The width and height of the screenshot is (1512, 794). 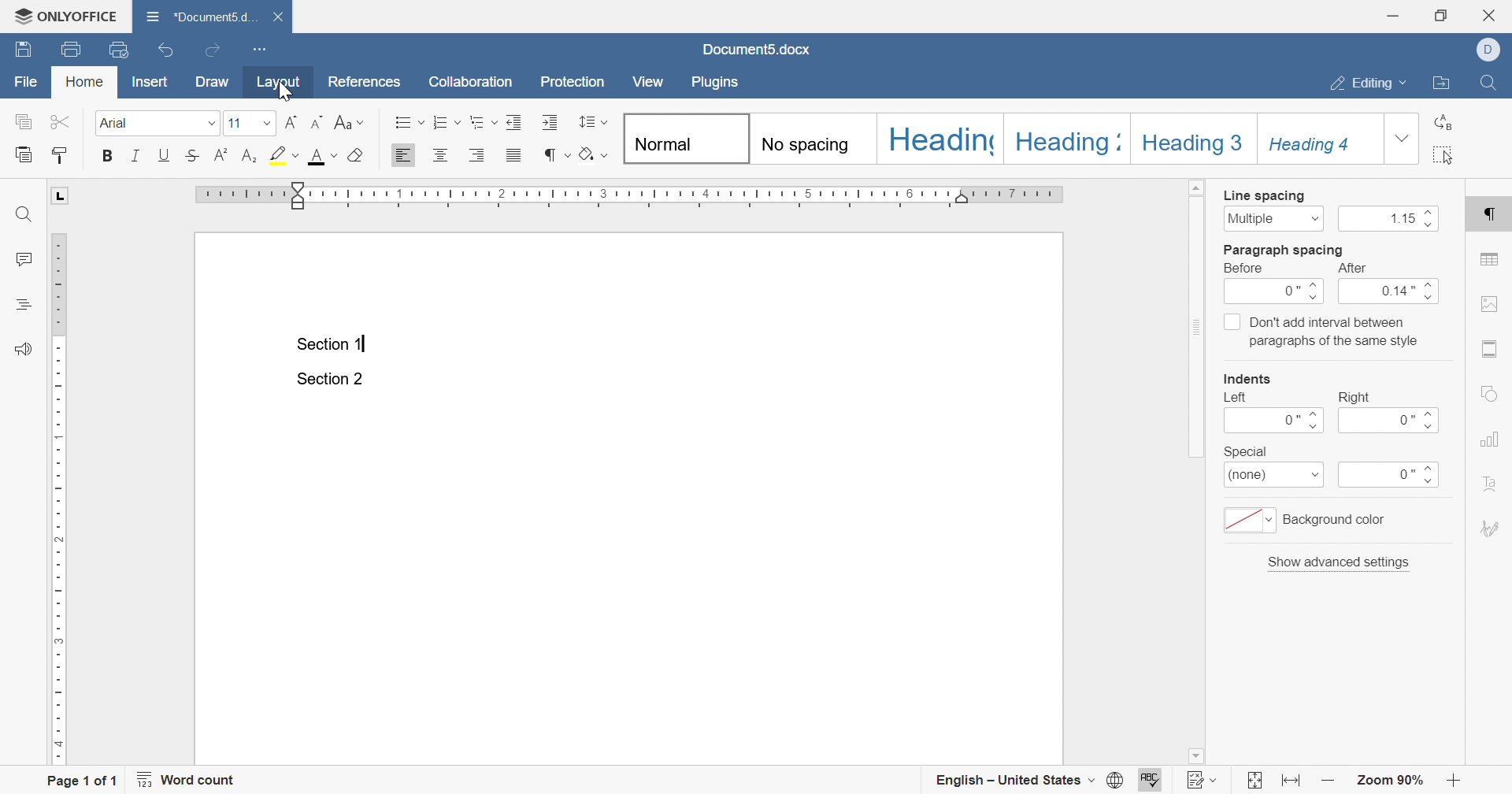 What do you see at coordinates (151, 83) in the screenshot?
I see `insert` at bounding box center [151, 83].